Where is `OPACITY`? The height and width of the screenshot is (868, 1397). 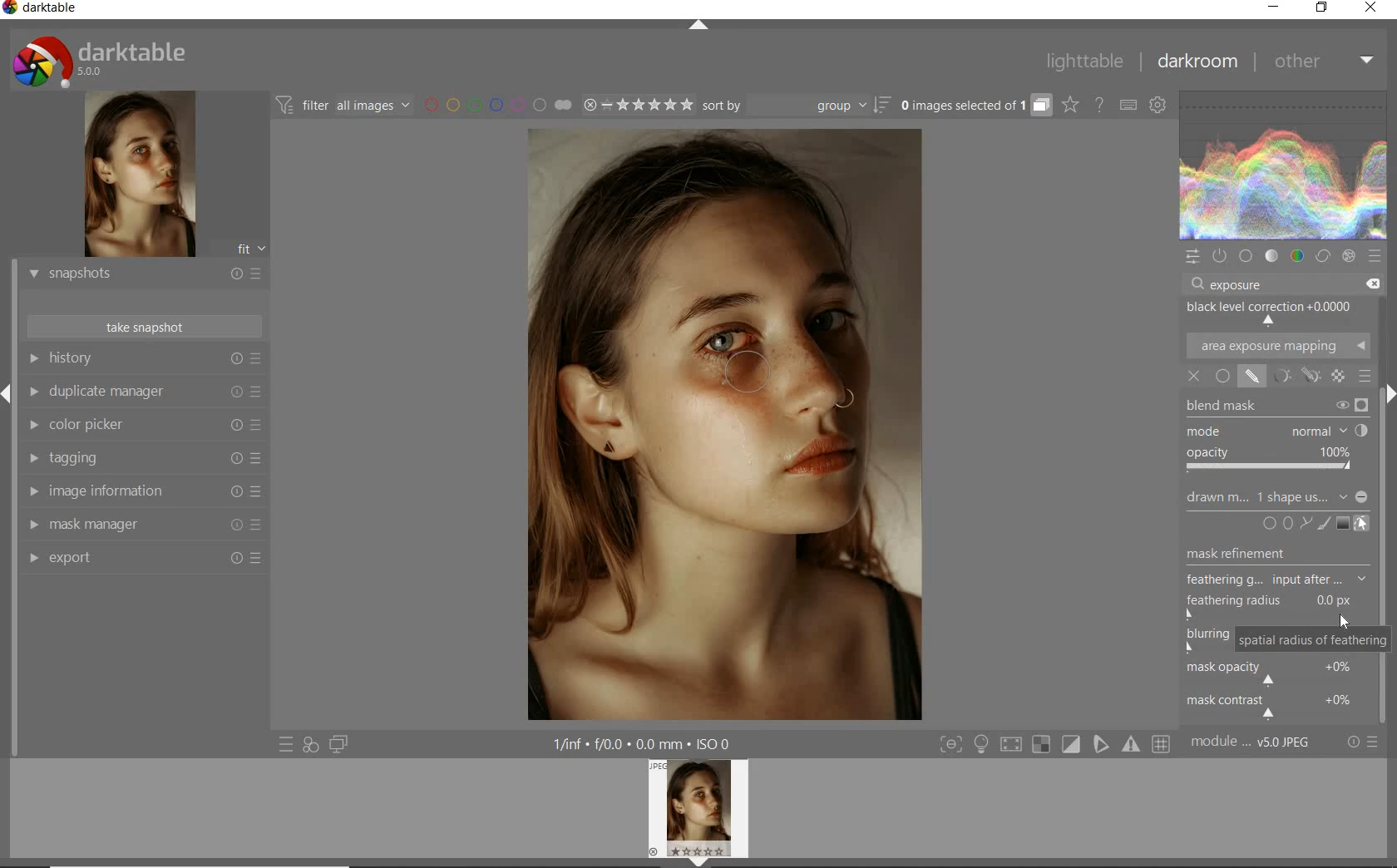
OPACITY is located at coordinates (1271, 461).